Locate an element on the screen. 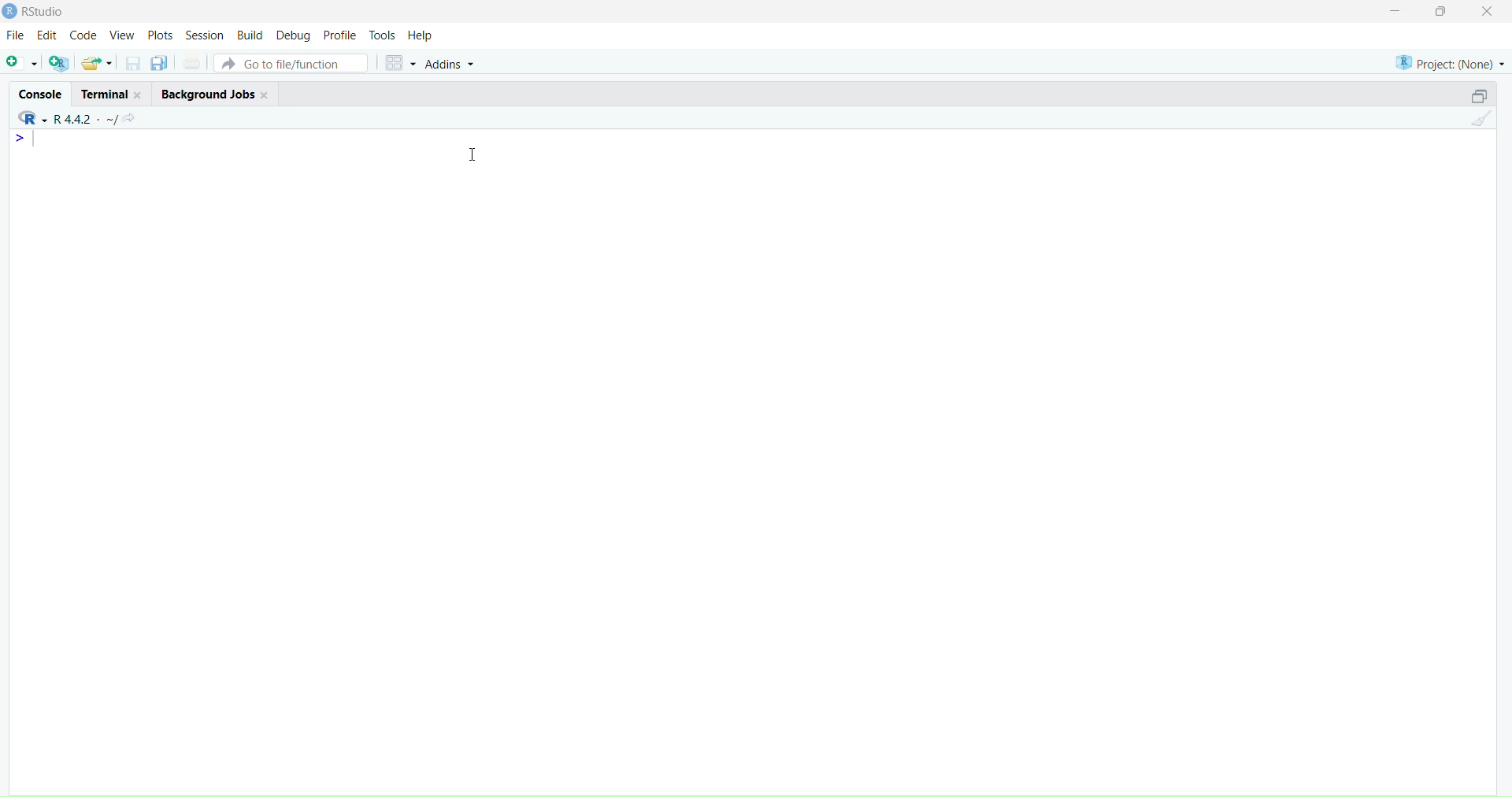  project (none) is located at coordinates (1451, 63).